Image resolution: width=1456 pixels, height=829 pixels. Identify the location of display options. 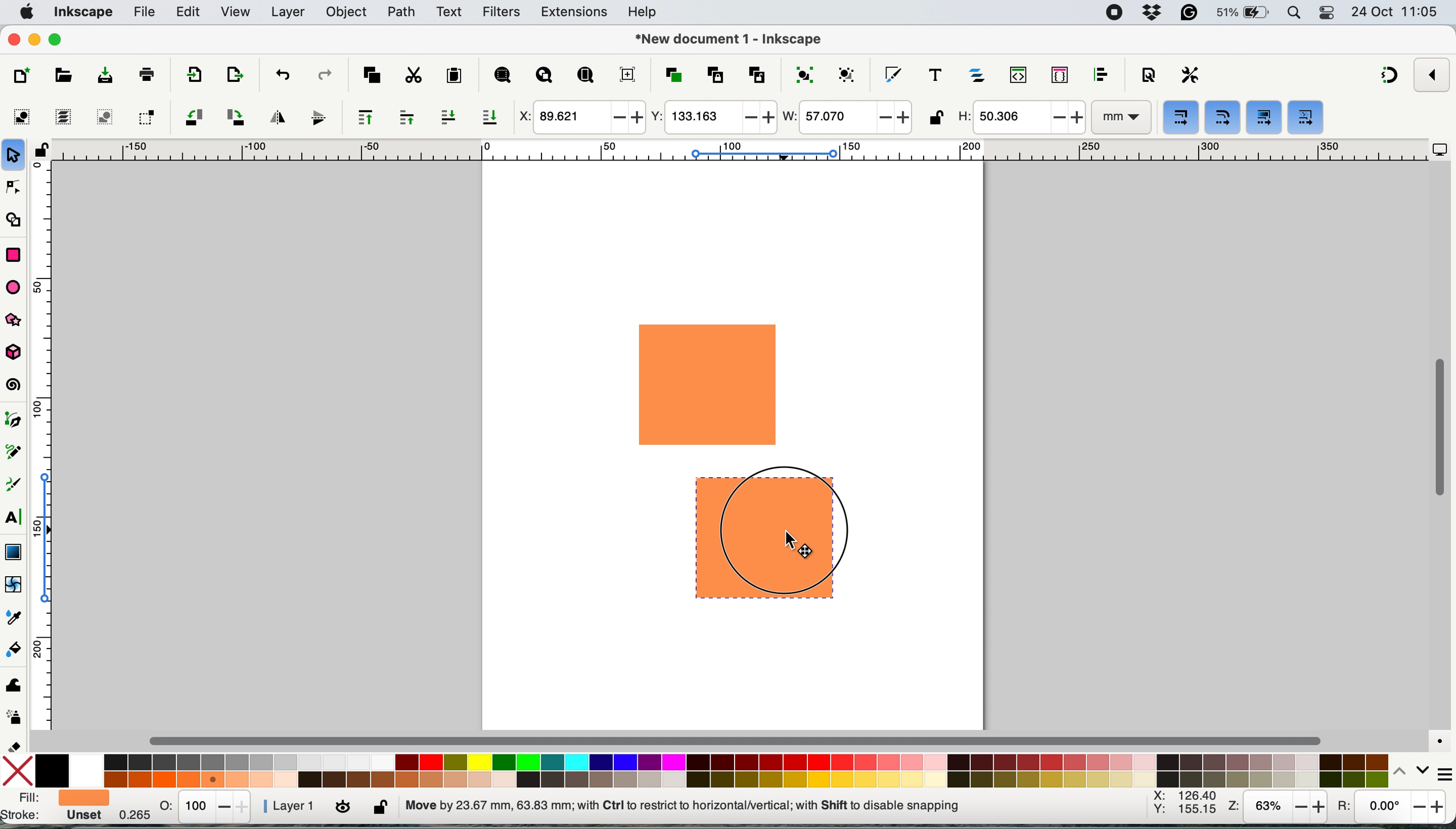
(1440, 150).